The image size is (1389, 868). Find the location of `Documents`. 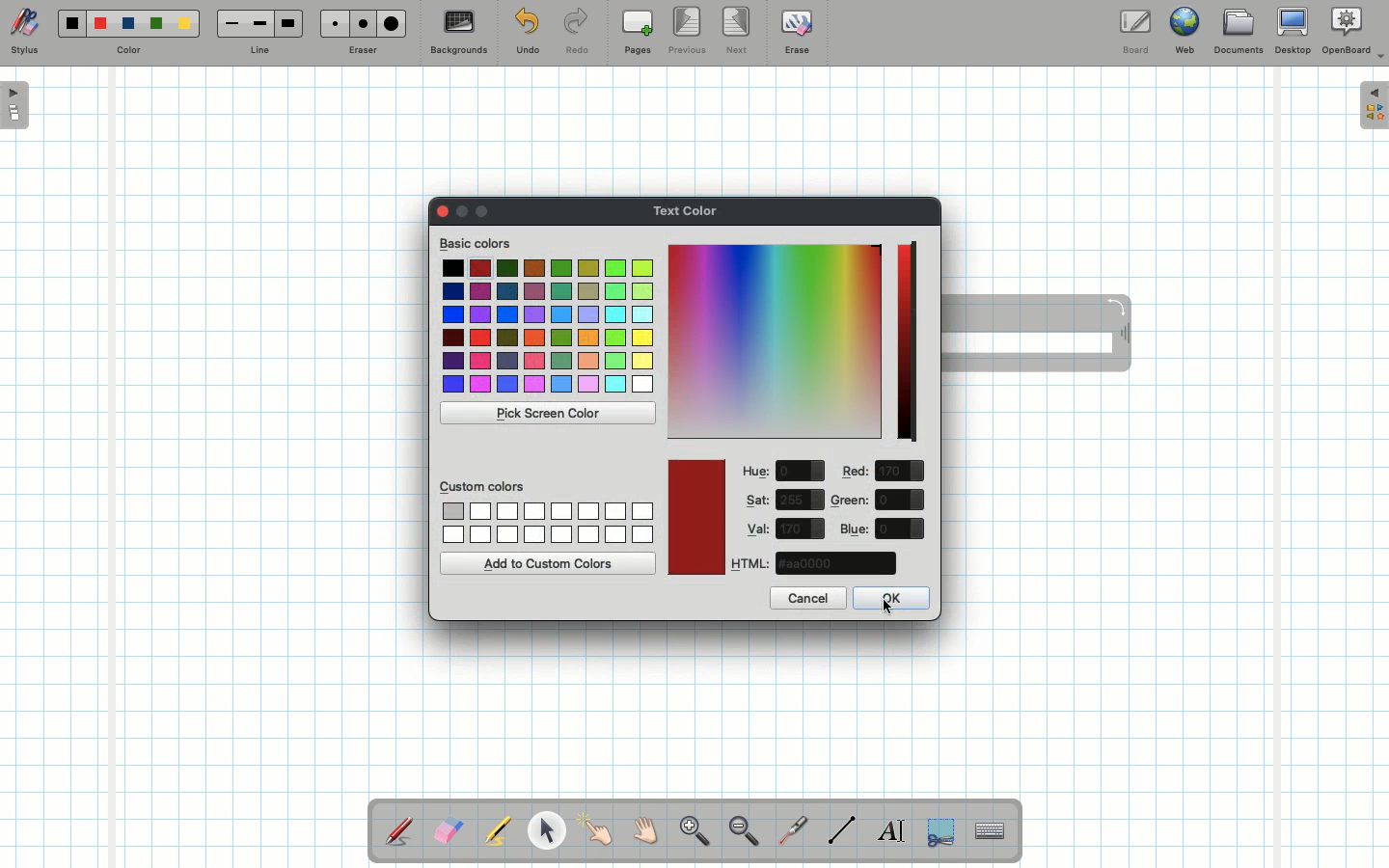

Documents is located at coordinates (1238, 34).